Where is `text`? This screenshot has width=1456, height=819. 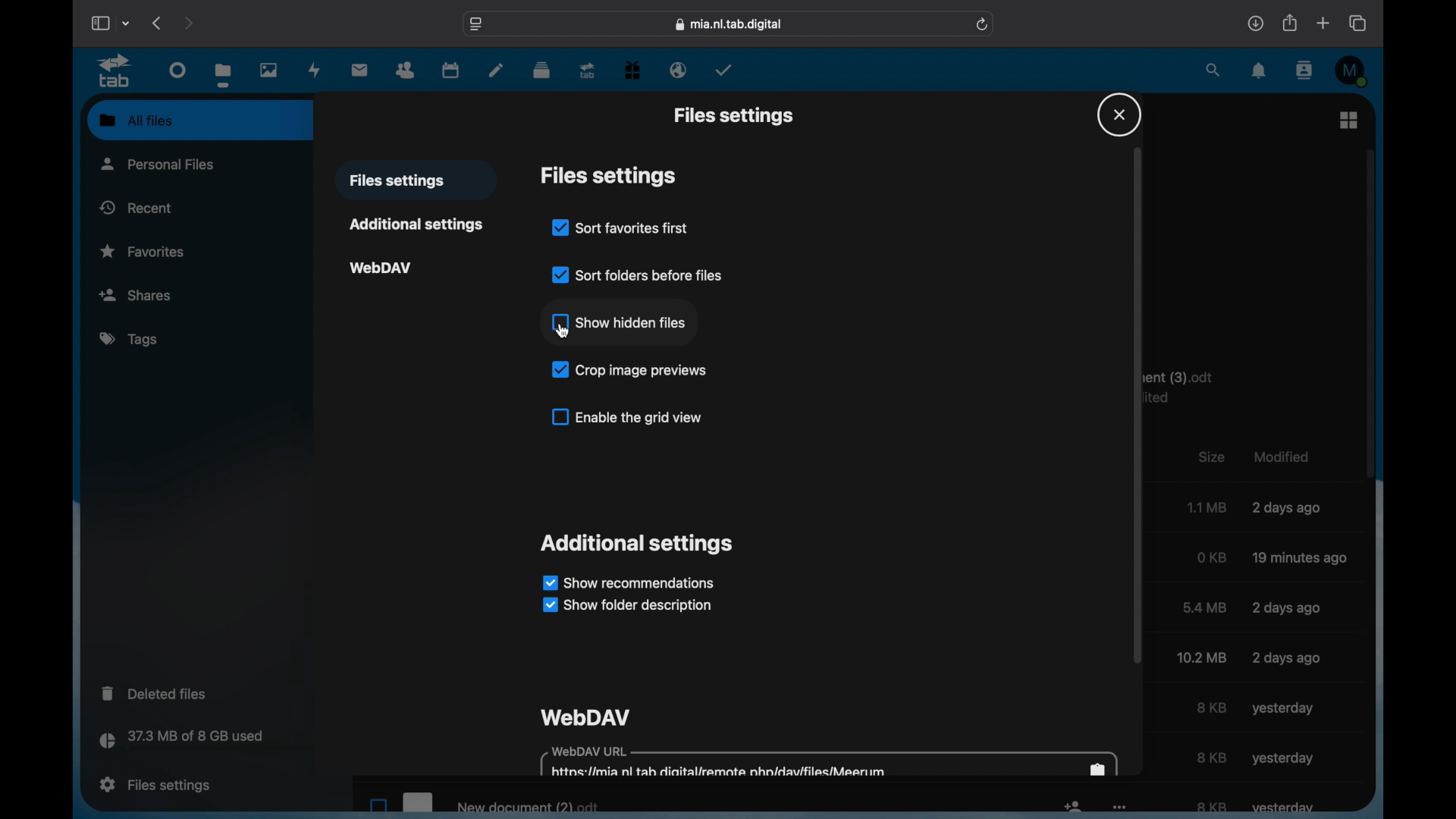
text is located at coordinates (1187, 383).